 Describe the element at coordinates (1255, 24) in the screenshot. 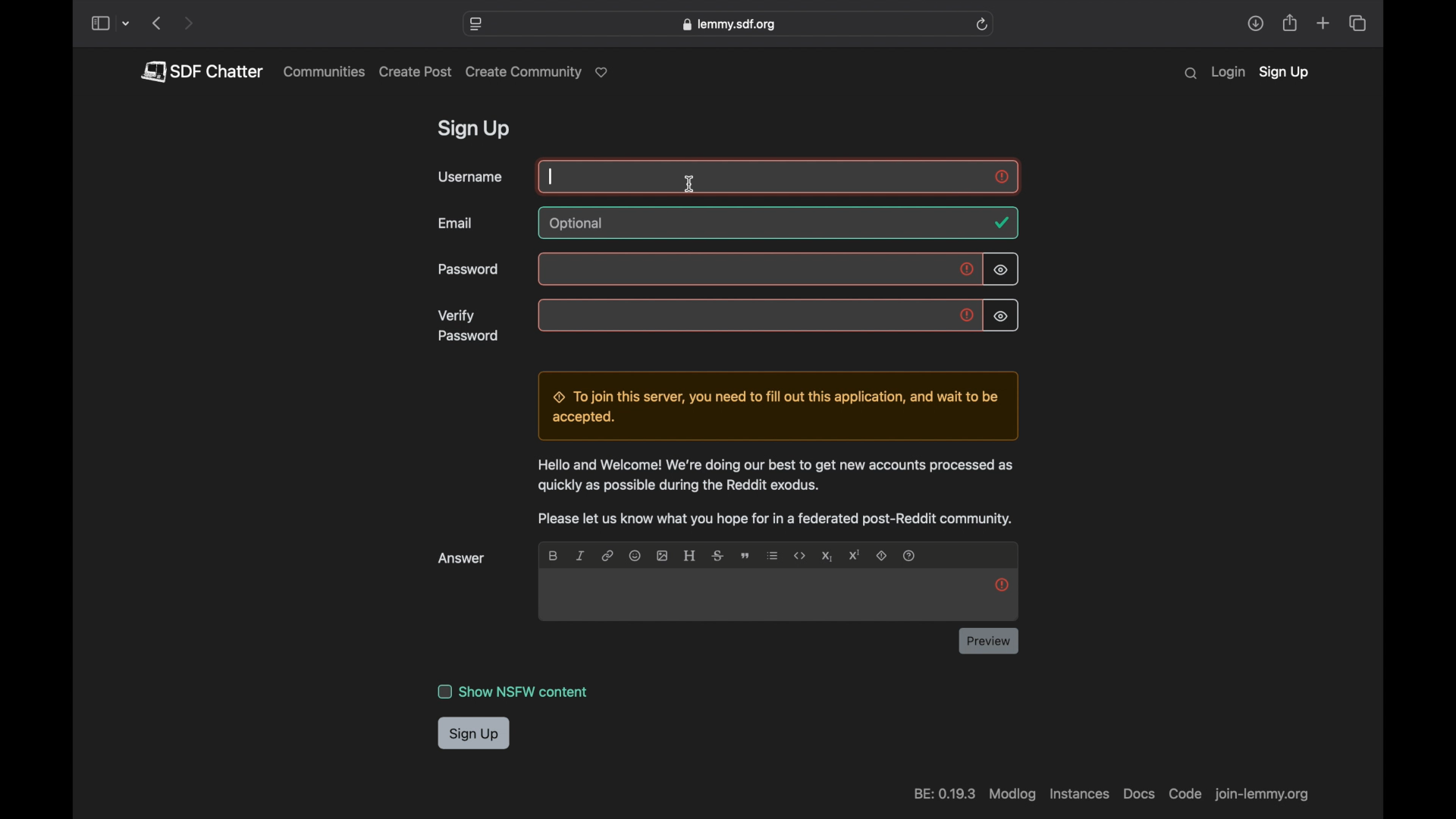

I see `share` at that location.